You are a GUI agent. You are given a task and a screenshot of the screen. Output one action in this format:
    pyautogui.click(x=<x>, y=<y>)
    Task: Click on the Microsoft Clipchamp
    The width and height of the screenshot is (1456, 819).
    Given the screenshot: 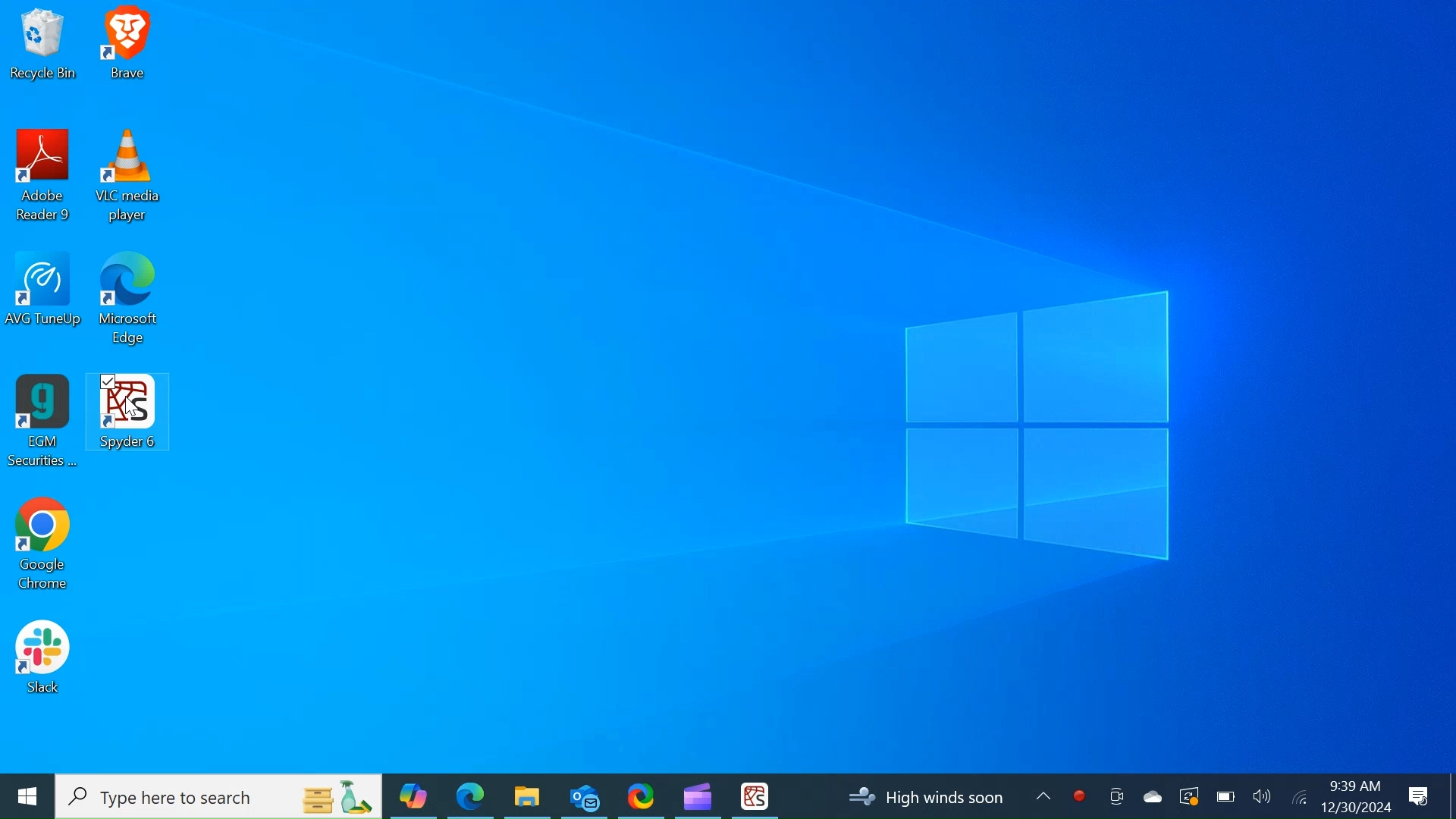 What is the action you would take?
    pyautogui.click(x=697, y=795)
    